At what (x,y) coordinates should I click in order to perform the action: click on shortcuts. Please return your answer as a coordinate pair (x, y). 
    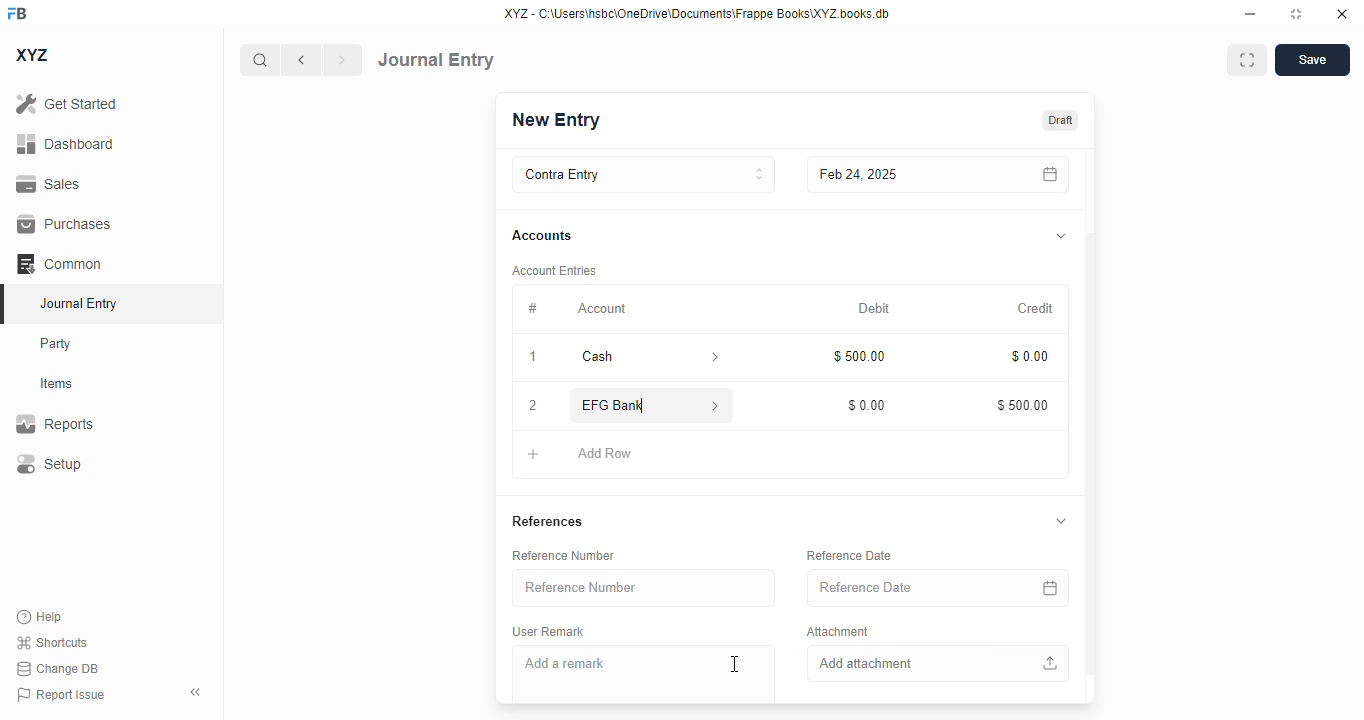
    Looking at the image, I should click on (52, 642).